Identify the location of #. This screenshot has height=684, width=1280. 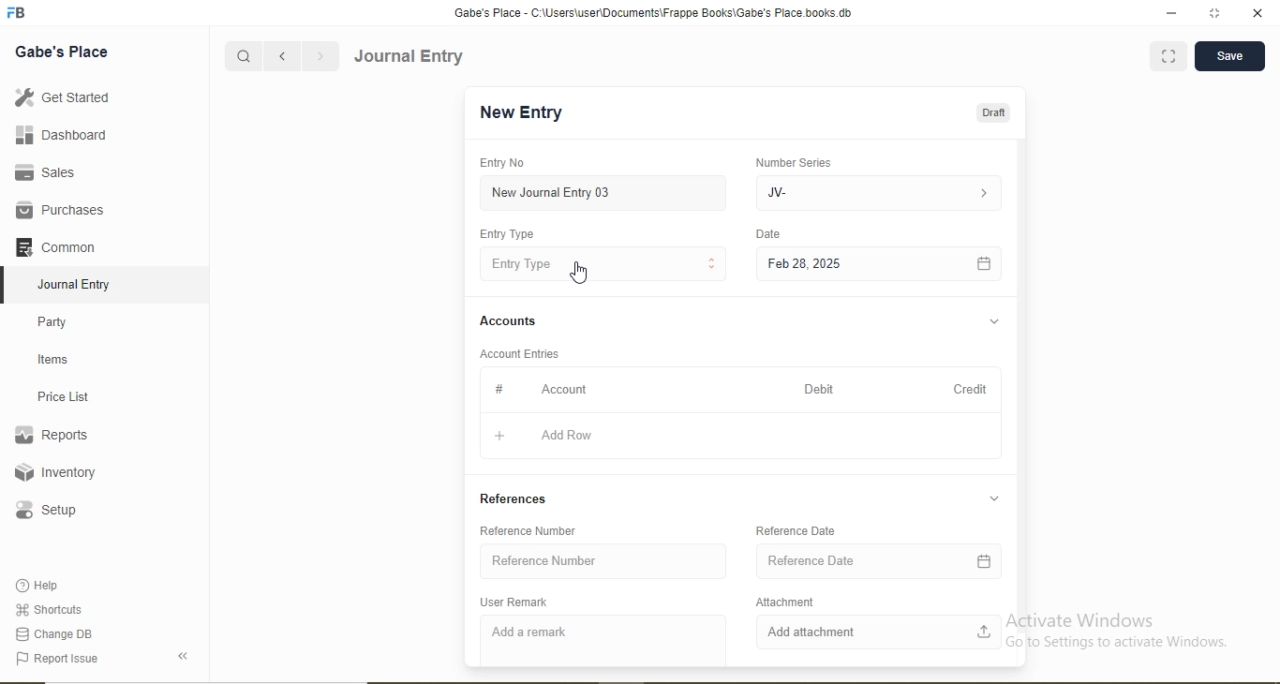
(500, 388).